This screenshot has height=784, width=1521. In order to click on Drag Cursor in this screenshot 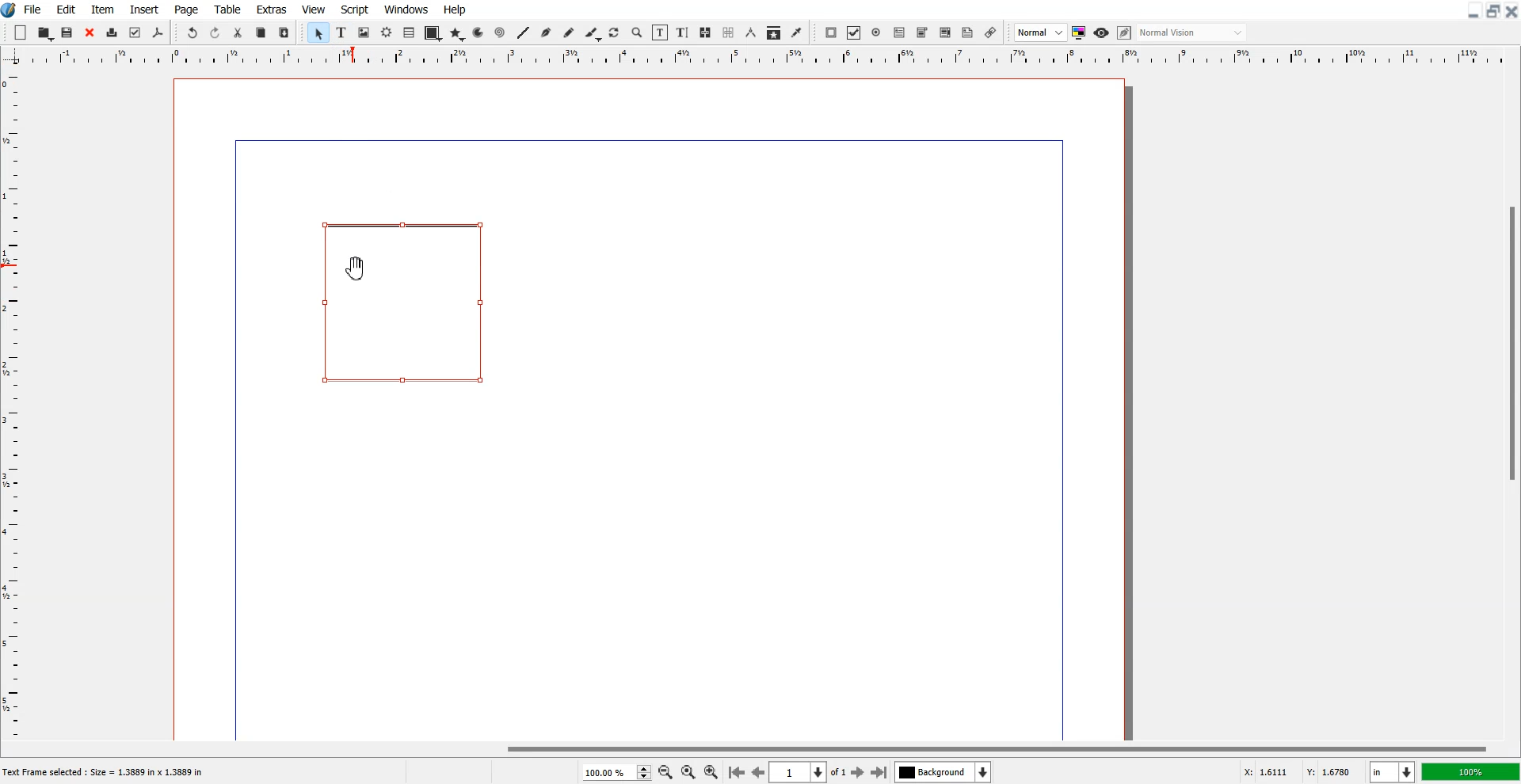, I will do `click(357, 270)`.